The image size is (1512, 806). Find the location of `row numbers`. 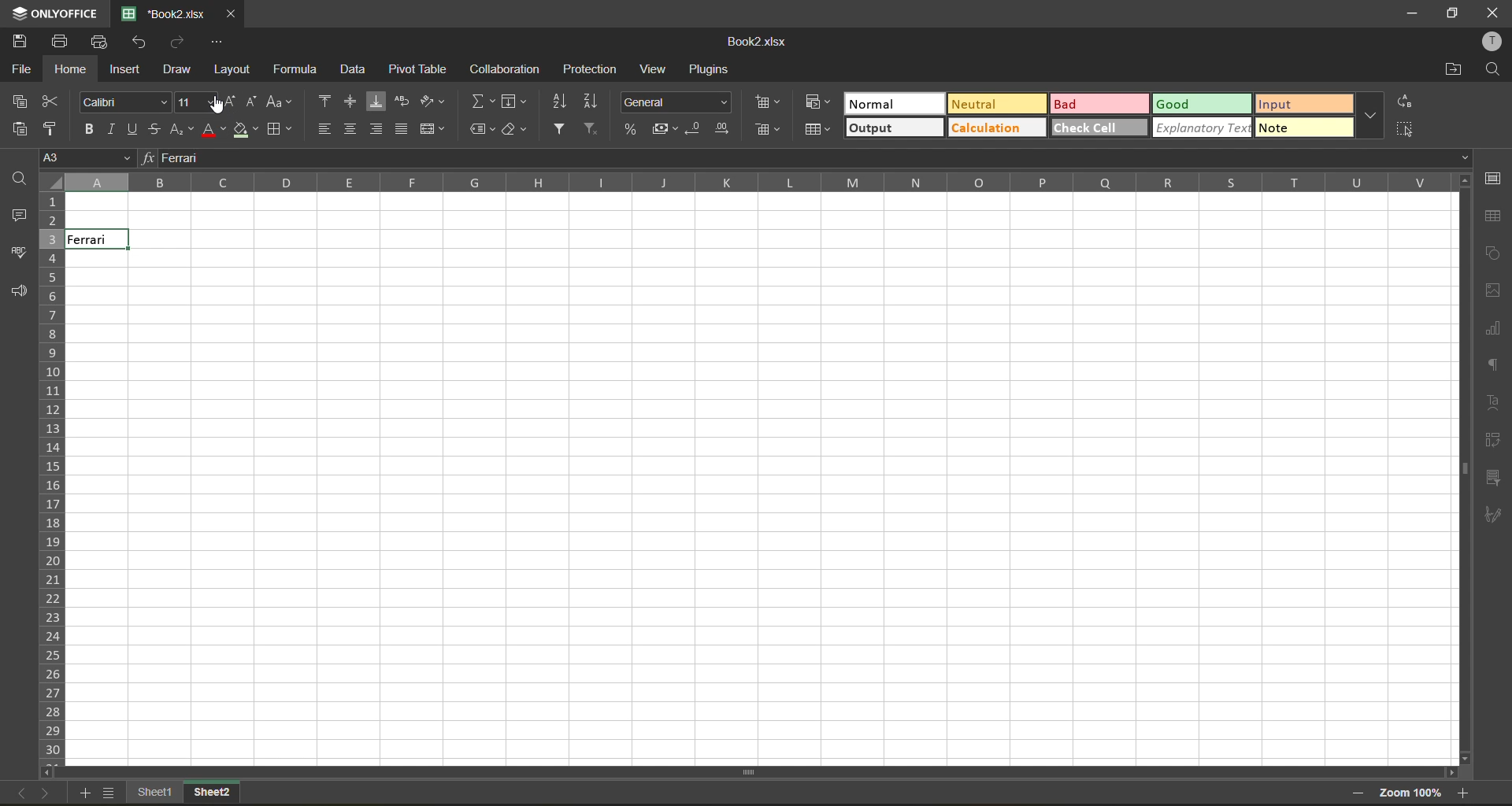

row numbers is located at coordinates (52, 464).